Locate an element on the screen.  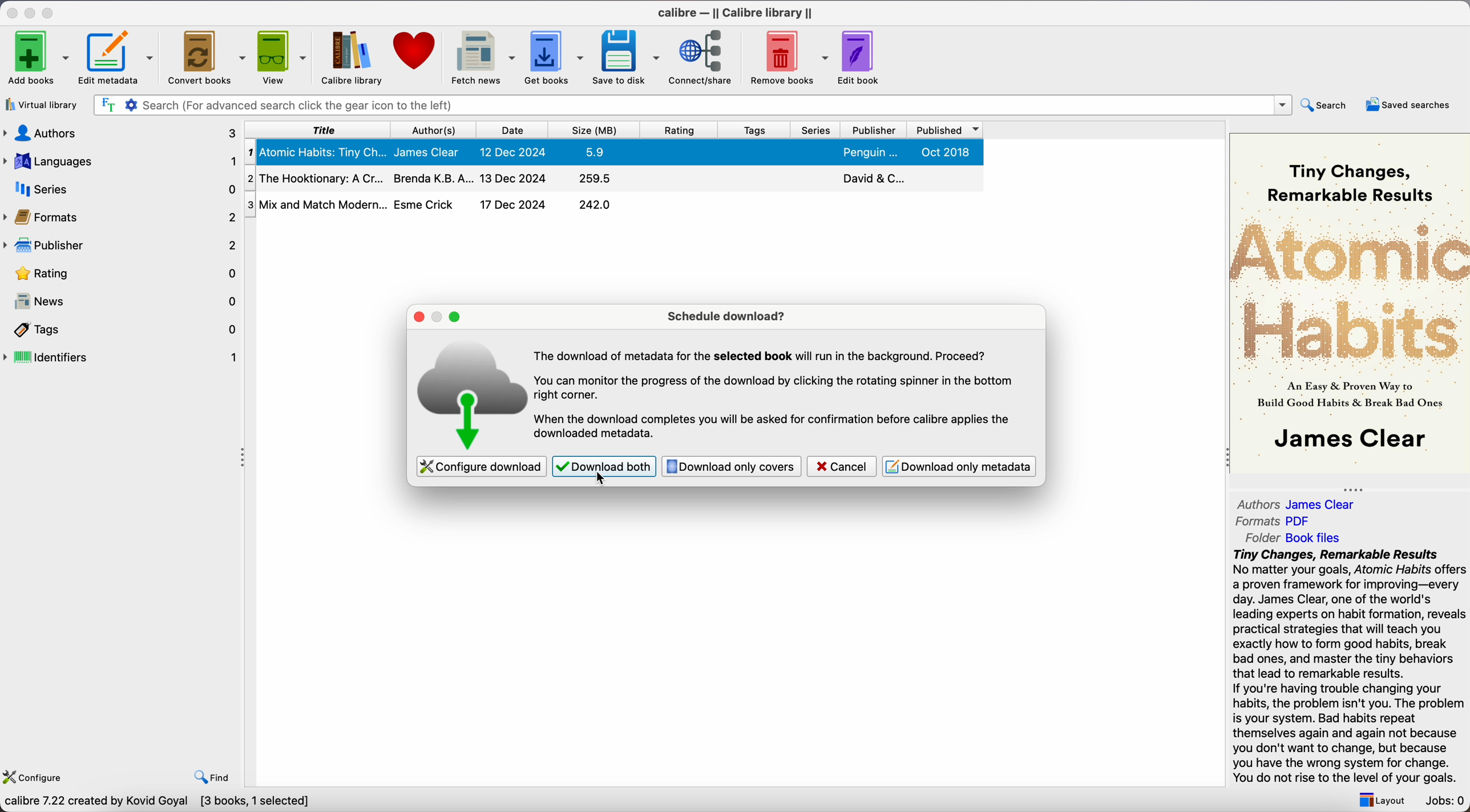
calibre library is located at coordinates (349, 57).